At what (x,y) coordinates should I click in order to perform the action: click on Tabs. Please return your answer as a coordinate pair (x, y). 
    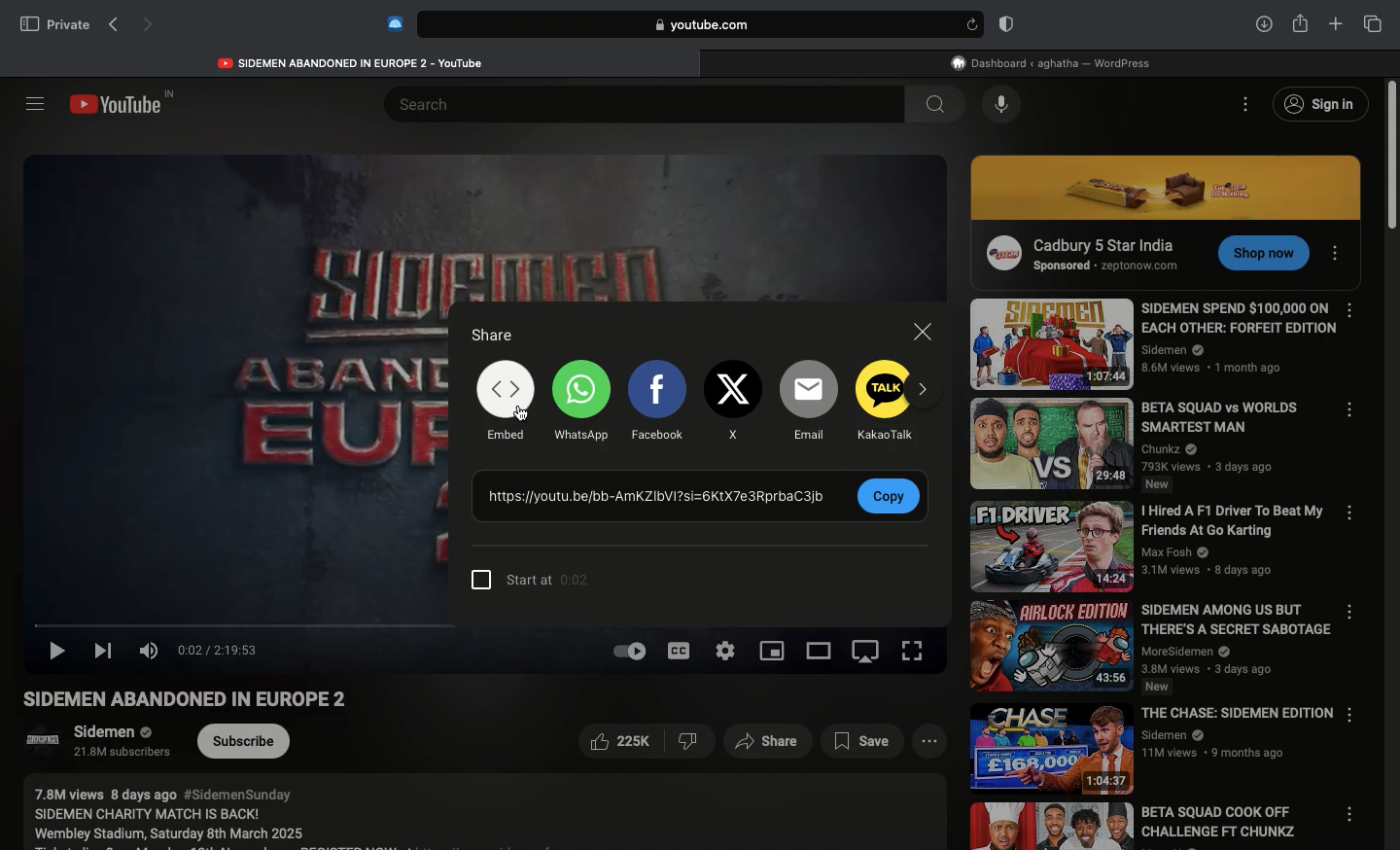
    Looking at the image, I should click on (1373, 23).